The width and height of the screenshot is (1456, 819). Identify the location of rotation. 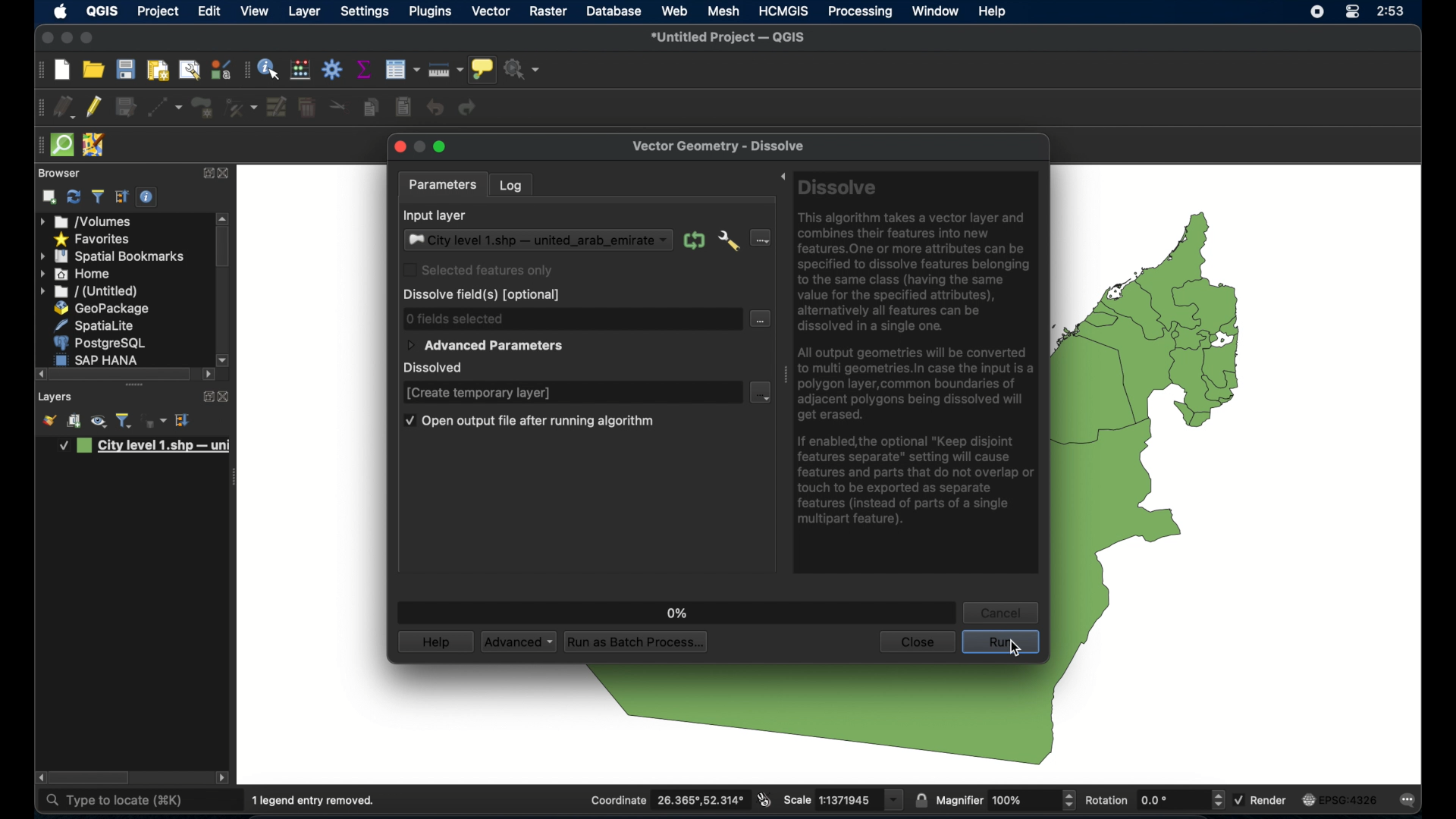
(1153, 800).